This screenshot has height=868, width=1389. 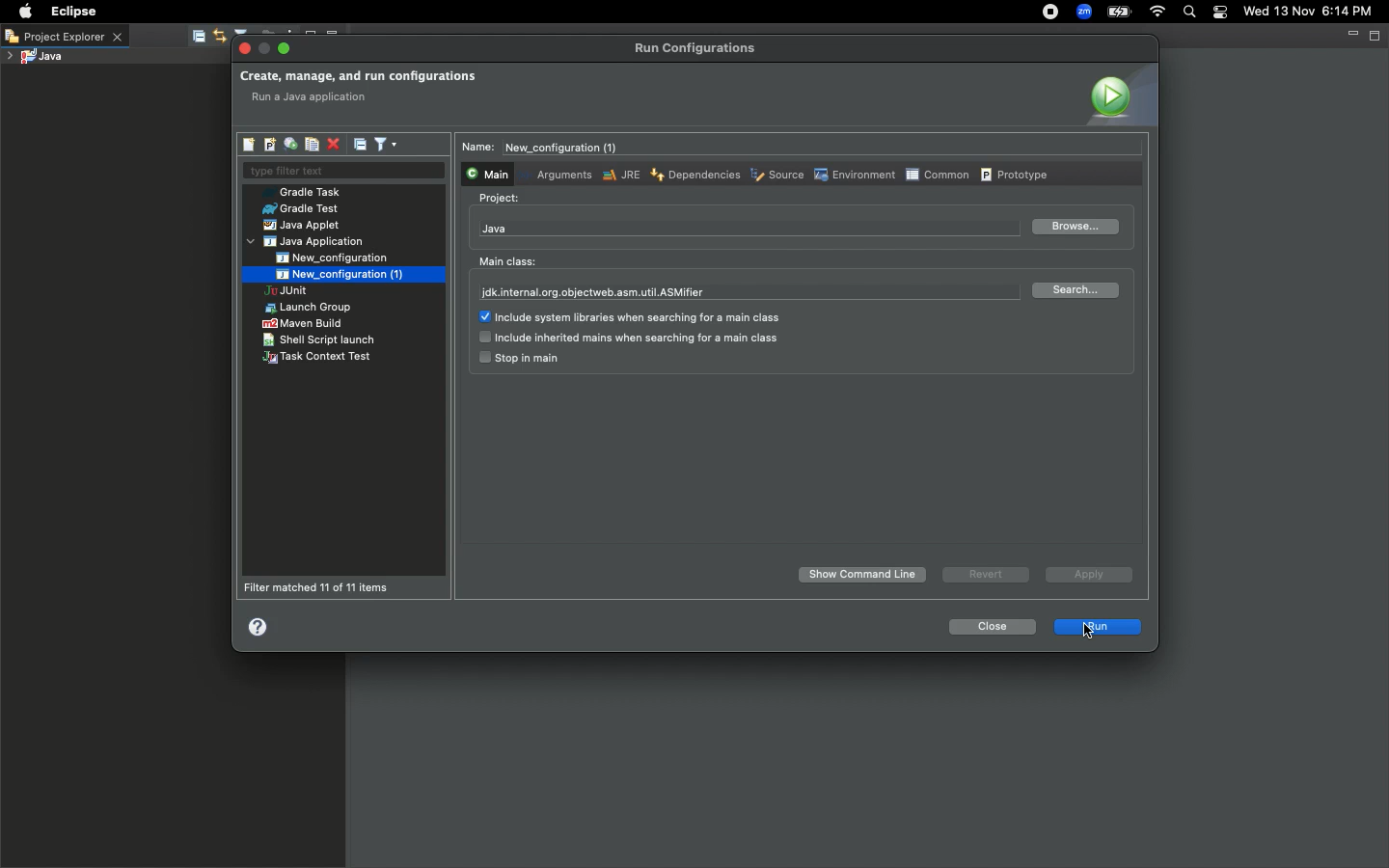 I want to click on Run configurations, so click(x=698, y=48).